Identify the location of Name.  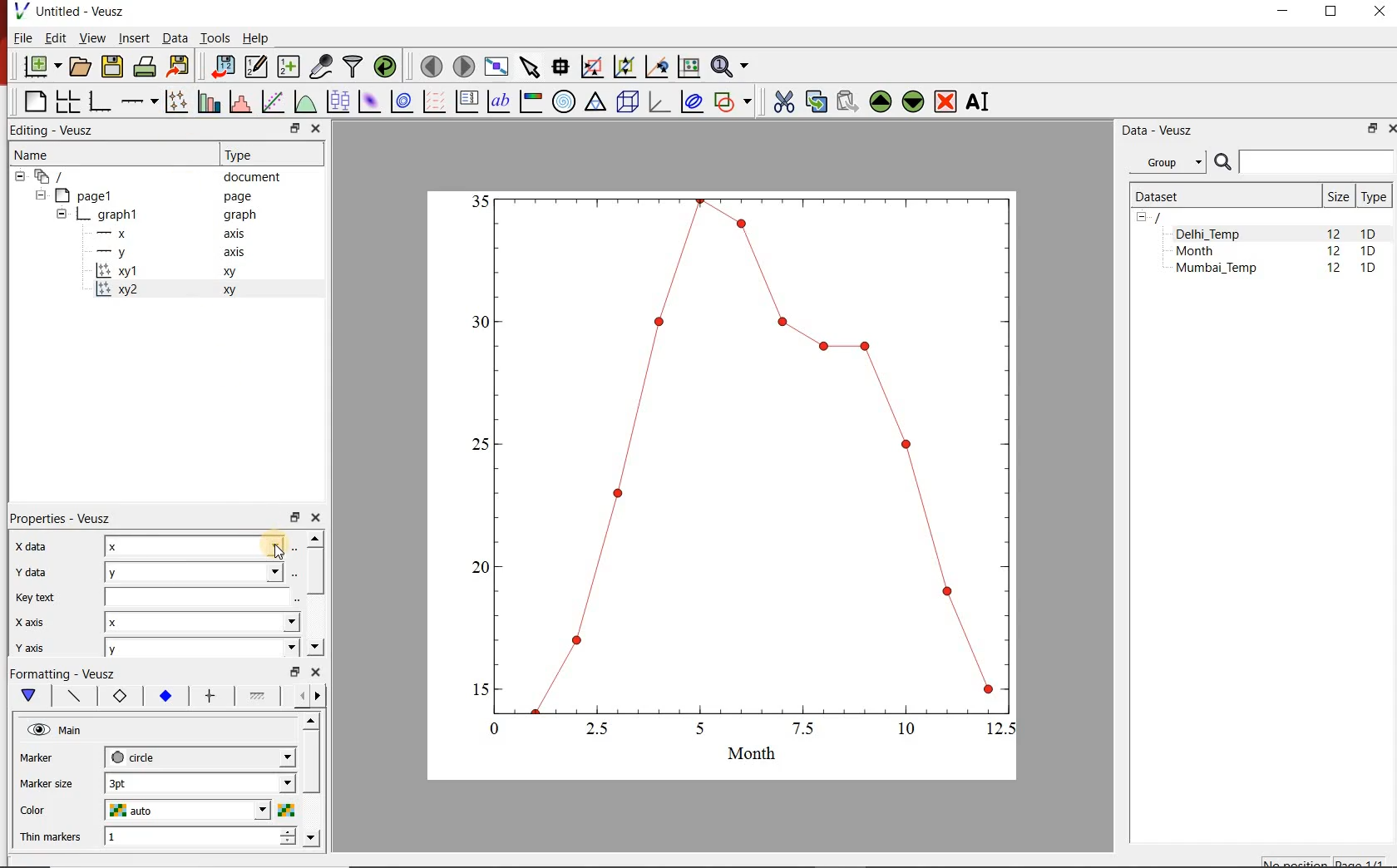
(33, 154).